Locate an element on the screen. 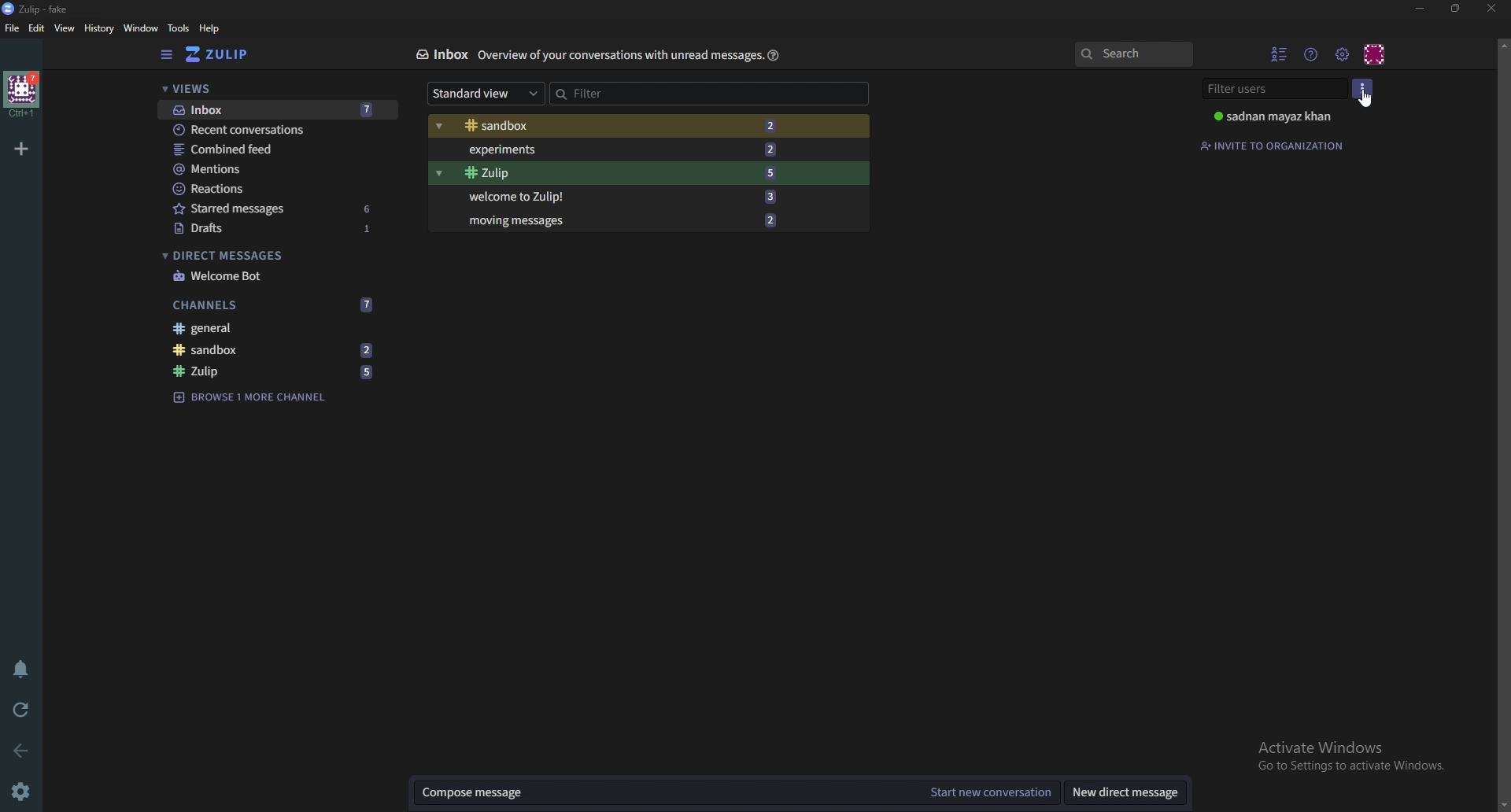 The image size is (1511, 812). sandbox is located at coordinates (611, 126).